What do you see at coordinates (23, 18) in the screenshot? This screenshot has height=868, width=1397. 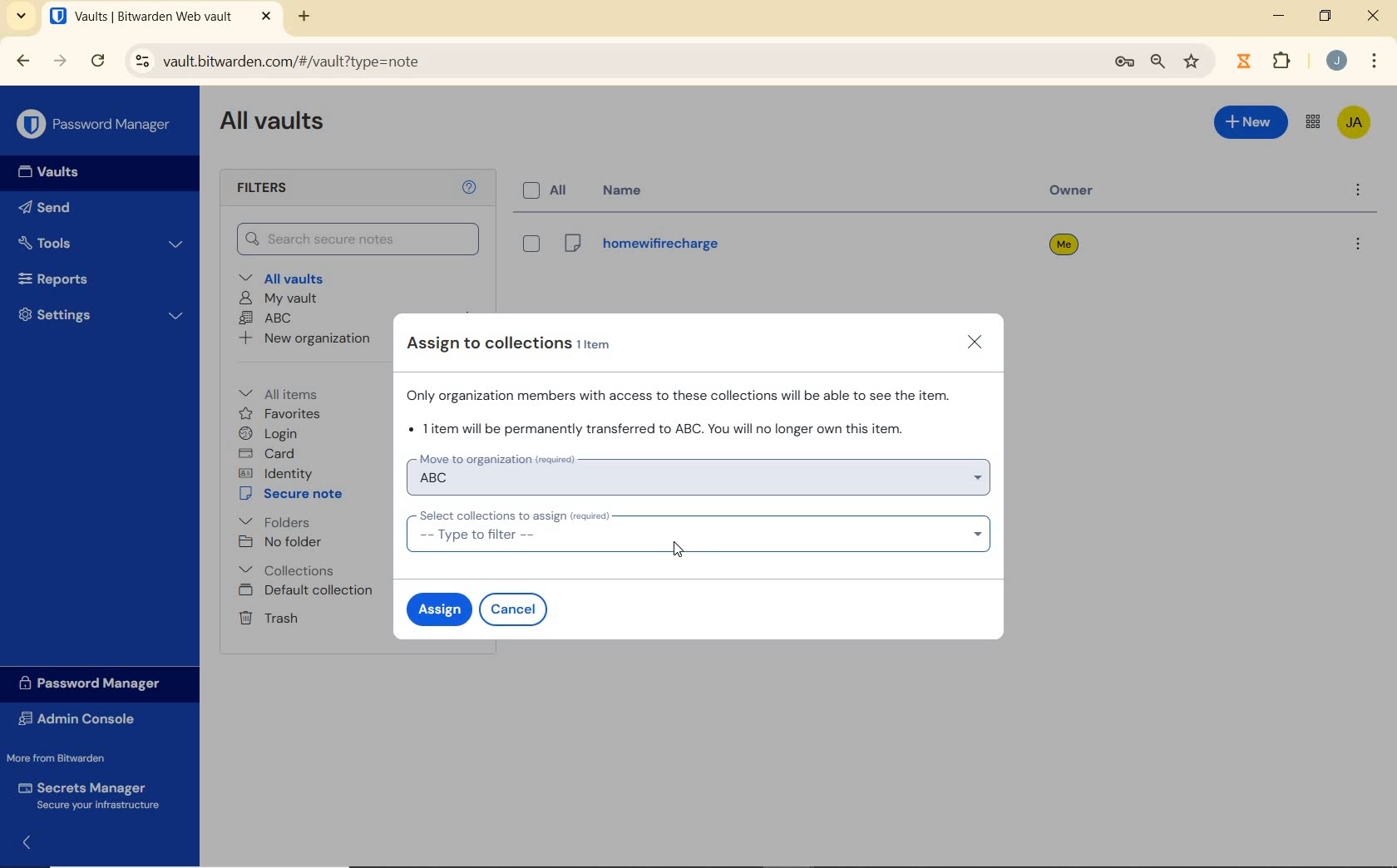 I see `search tabs` at bounding box center [23, 18].